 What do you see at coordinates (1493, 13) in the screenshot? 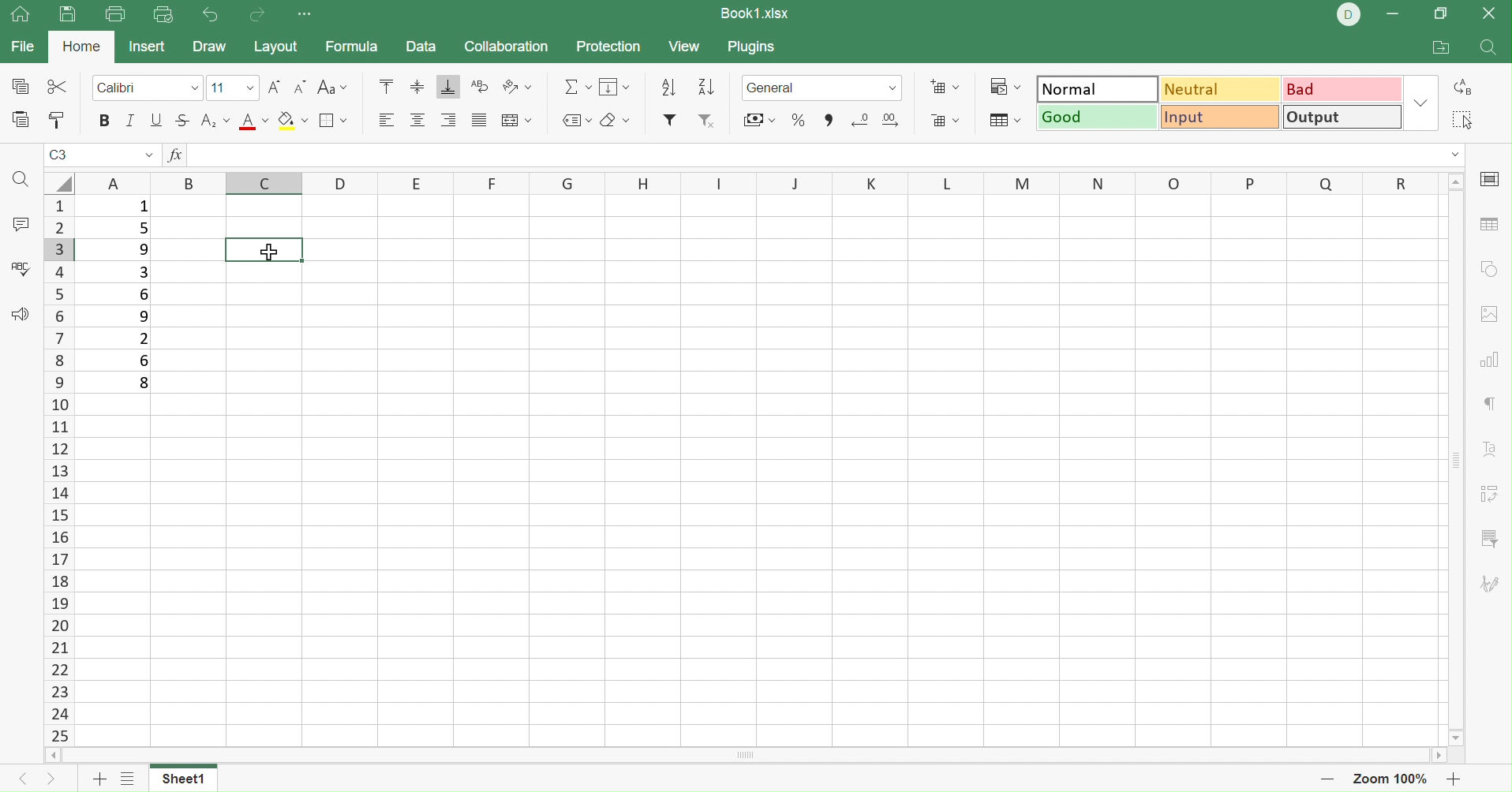
I see `Close` at bounding box center [1493, 13].